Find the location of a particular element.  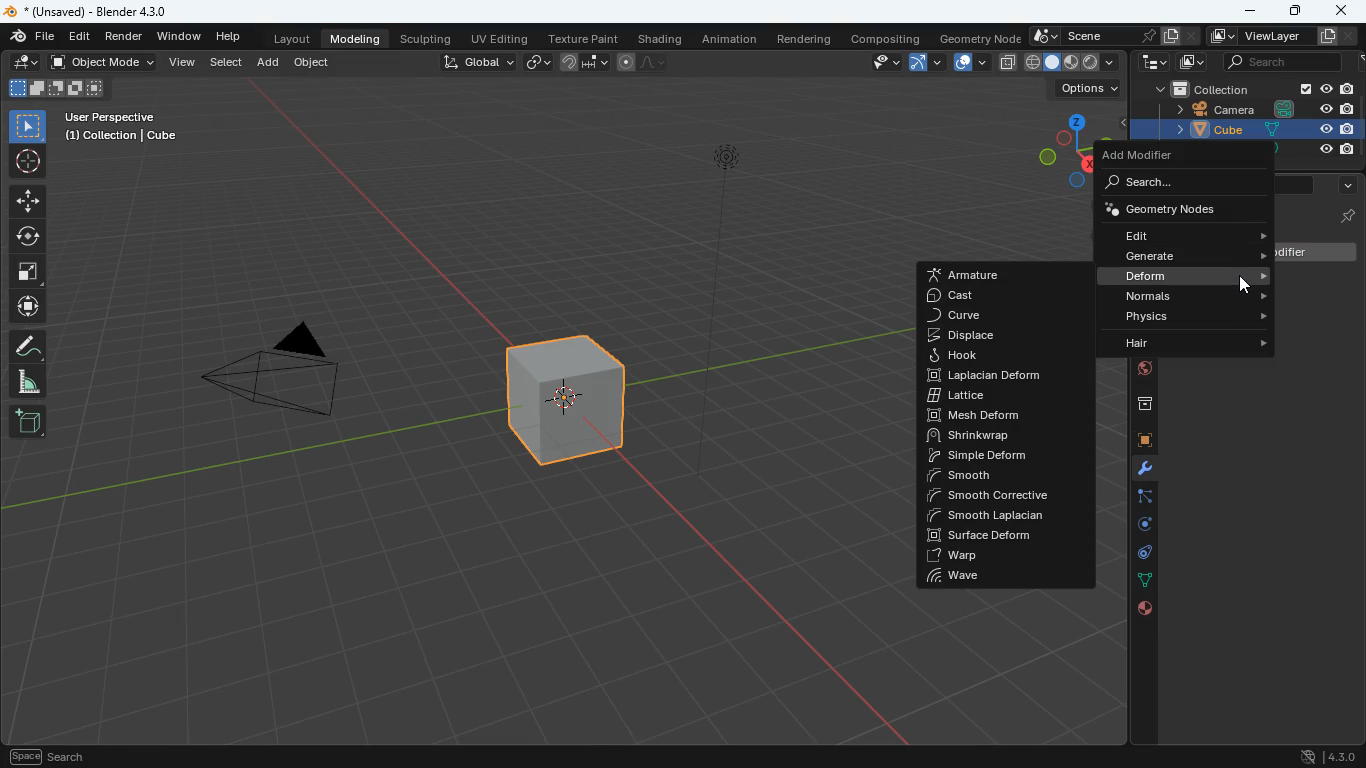

tech is located at coordinates (1155, 63).